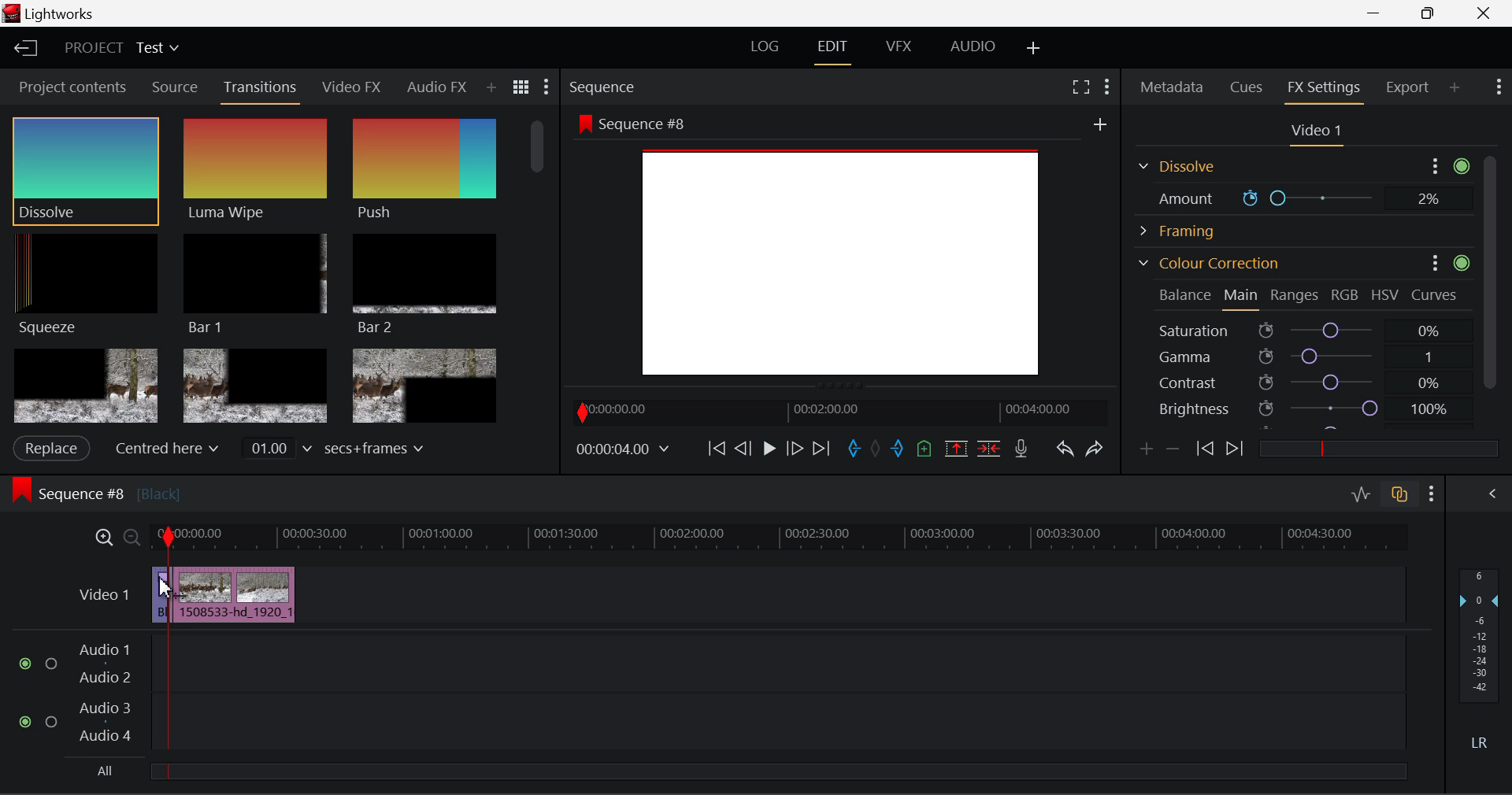  I want to click on Undo, so click(1064, 452).